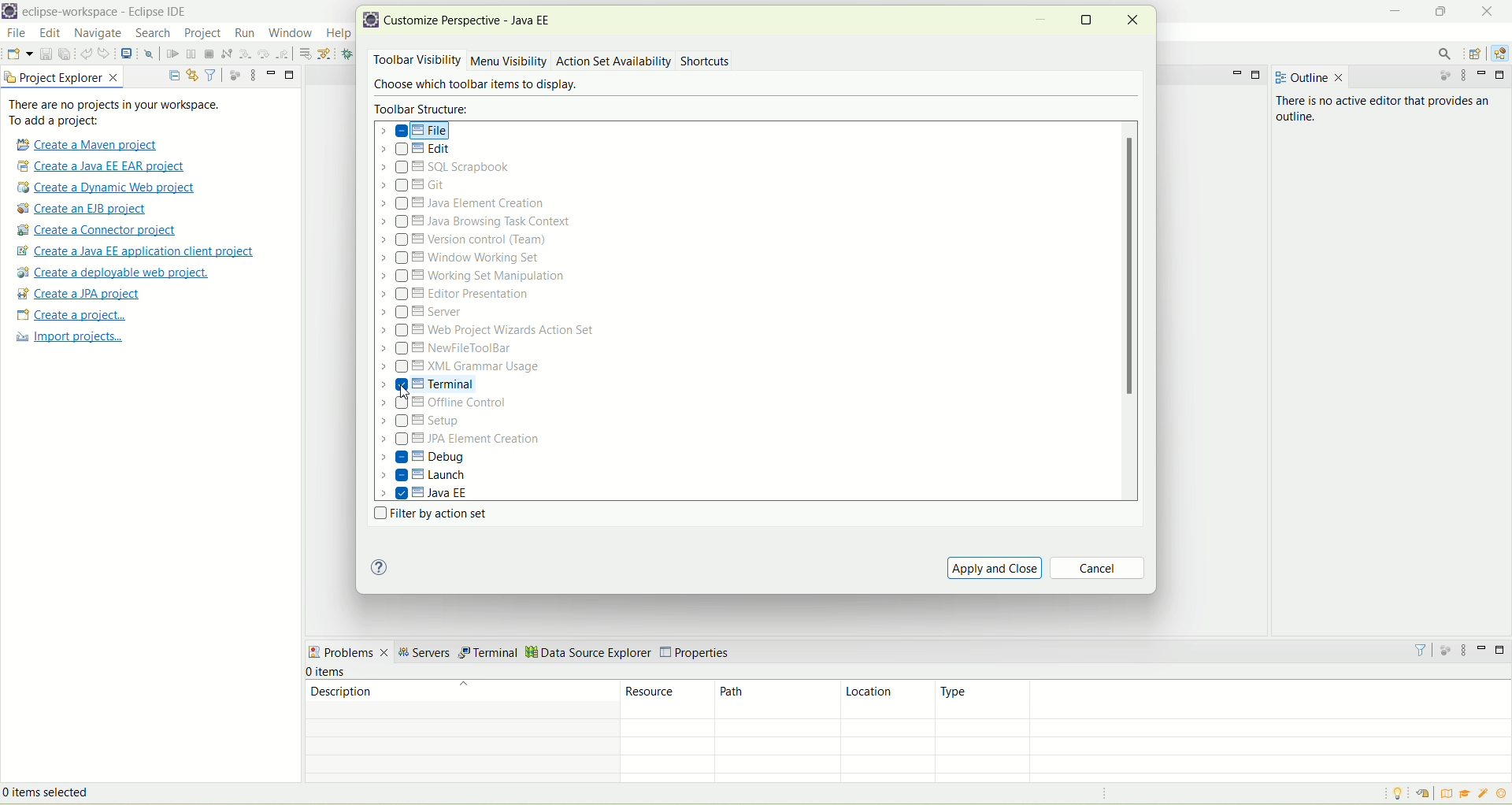  Describe the element at coordinates (1258, 74) in the screenshot. I see `maximize` at that location.